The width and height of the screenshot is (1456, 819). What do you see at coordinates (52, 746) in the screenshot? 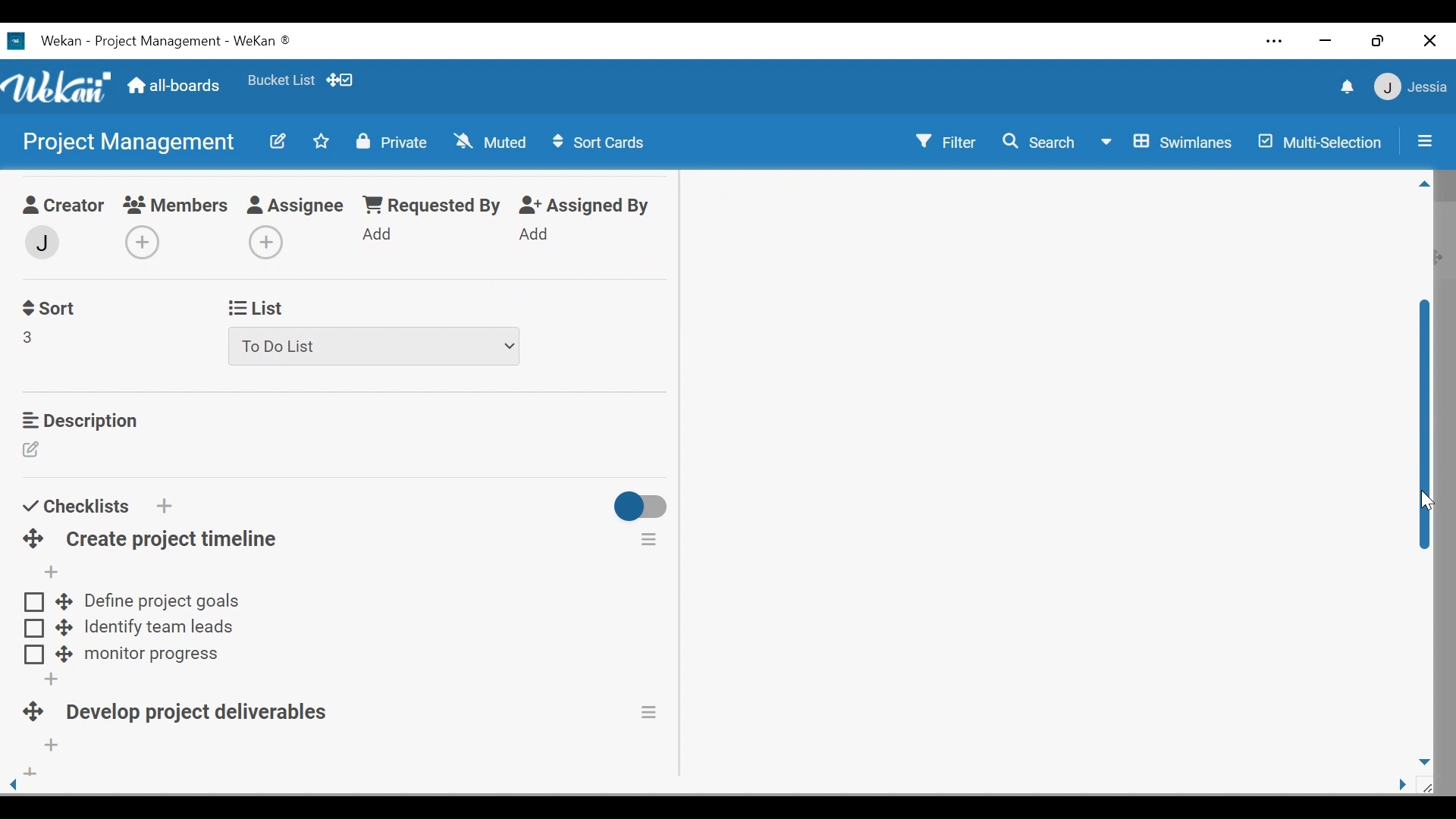
I see `Add checklist item` at bounding box center [52, 746].